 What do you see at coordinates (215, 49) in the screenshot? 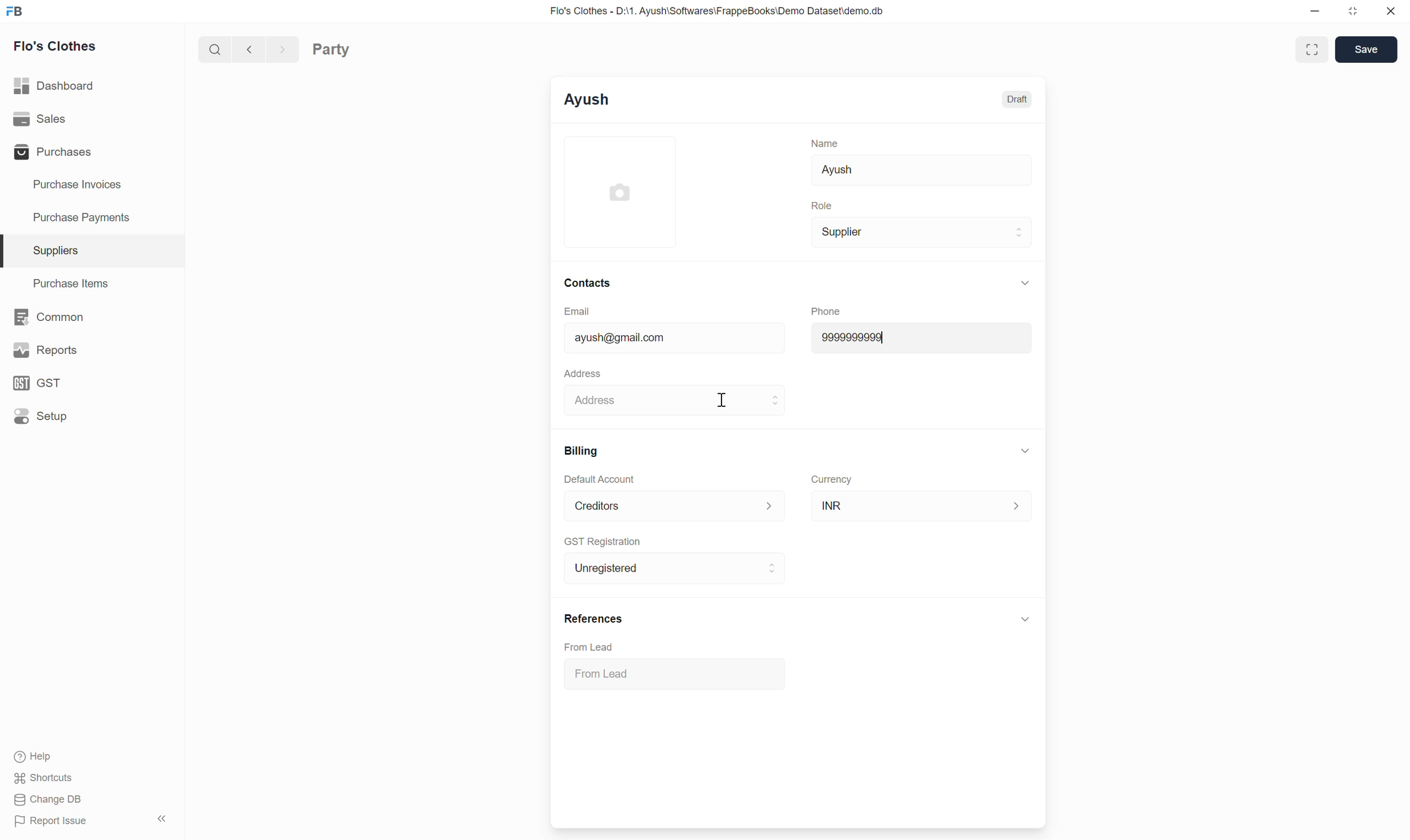
I see `Search` at bounding box center [215, 49].